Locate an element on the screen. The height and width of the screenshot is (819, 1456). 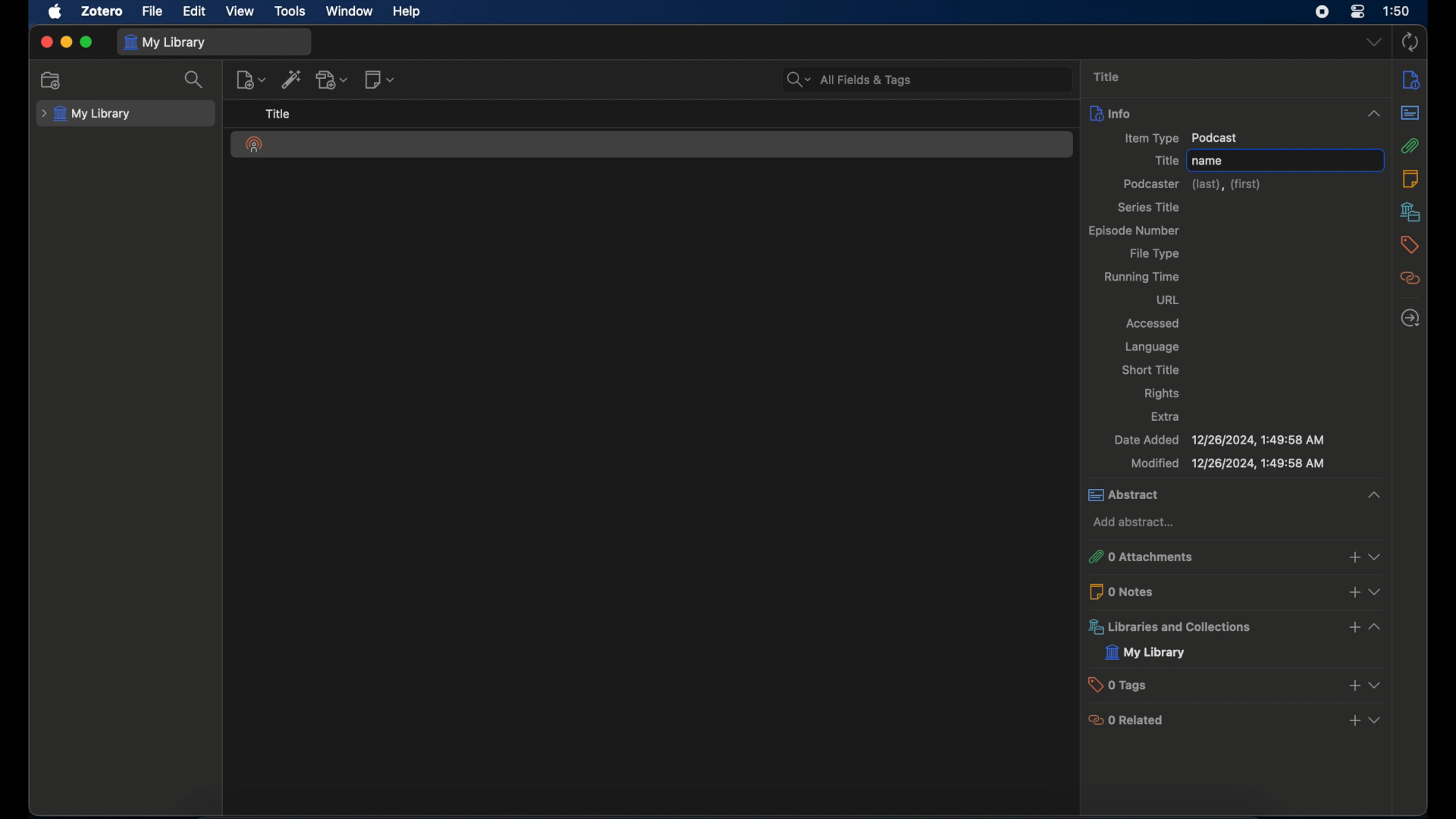
my library is located at coordinates (164, 42).